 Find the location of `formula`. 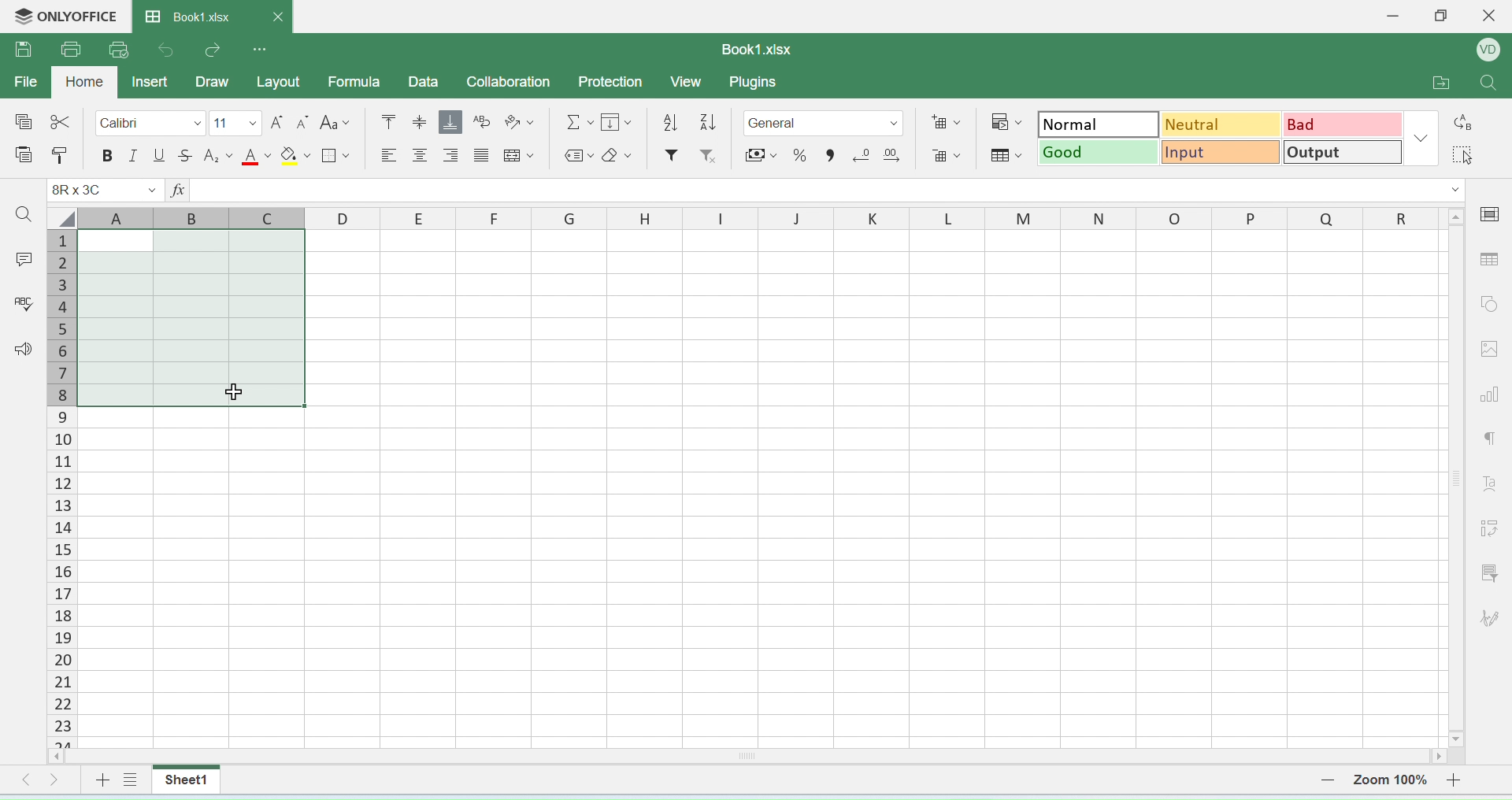

formula is located at coordinates (575, 123).